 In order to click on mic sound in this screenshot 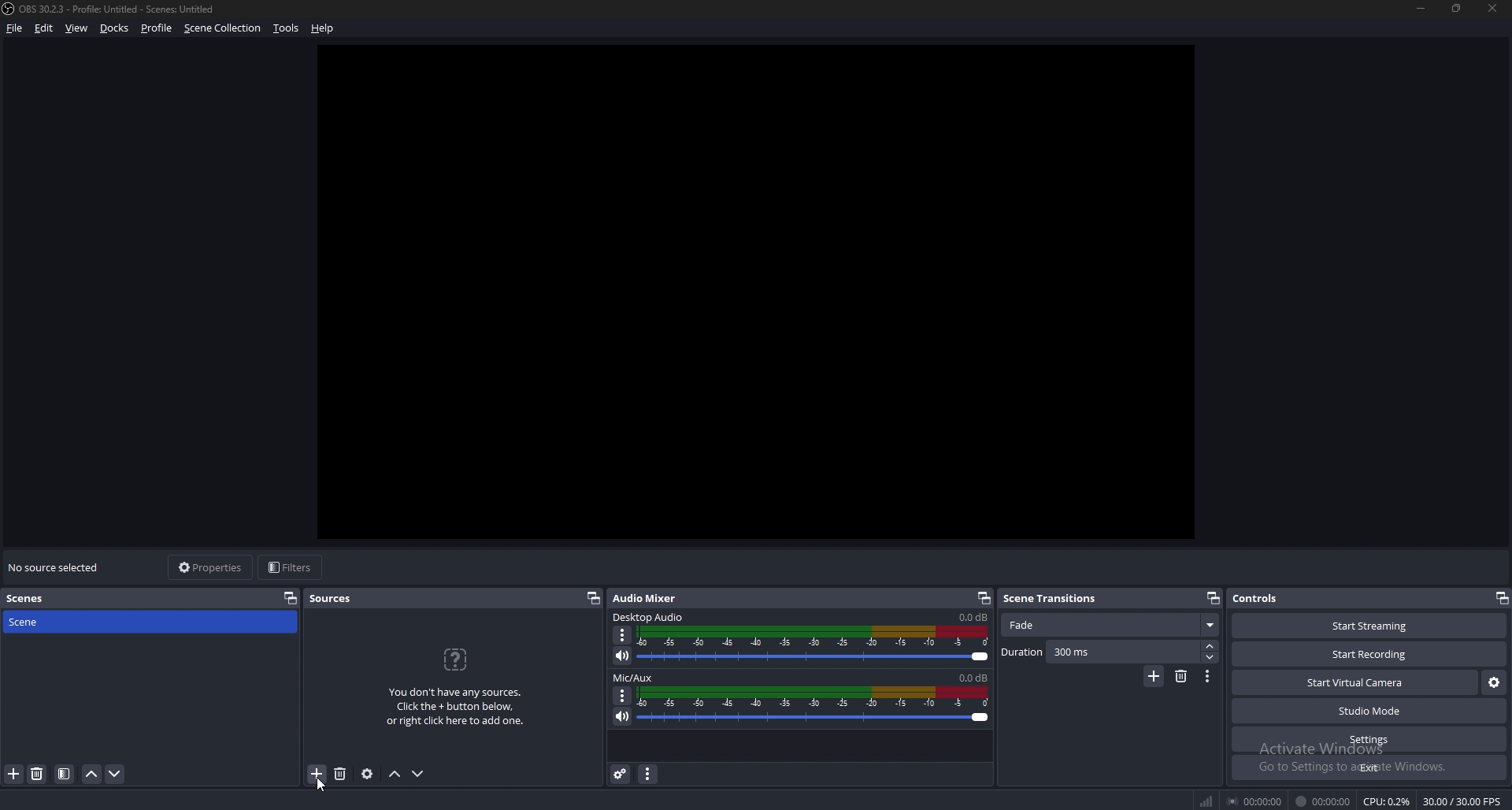, I will do `click(973, 676)`.